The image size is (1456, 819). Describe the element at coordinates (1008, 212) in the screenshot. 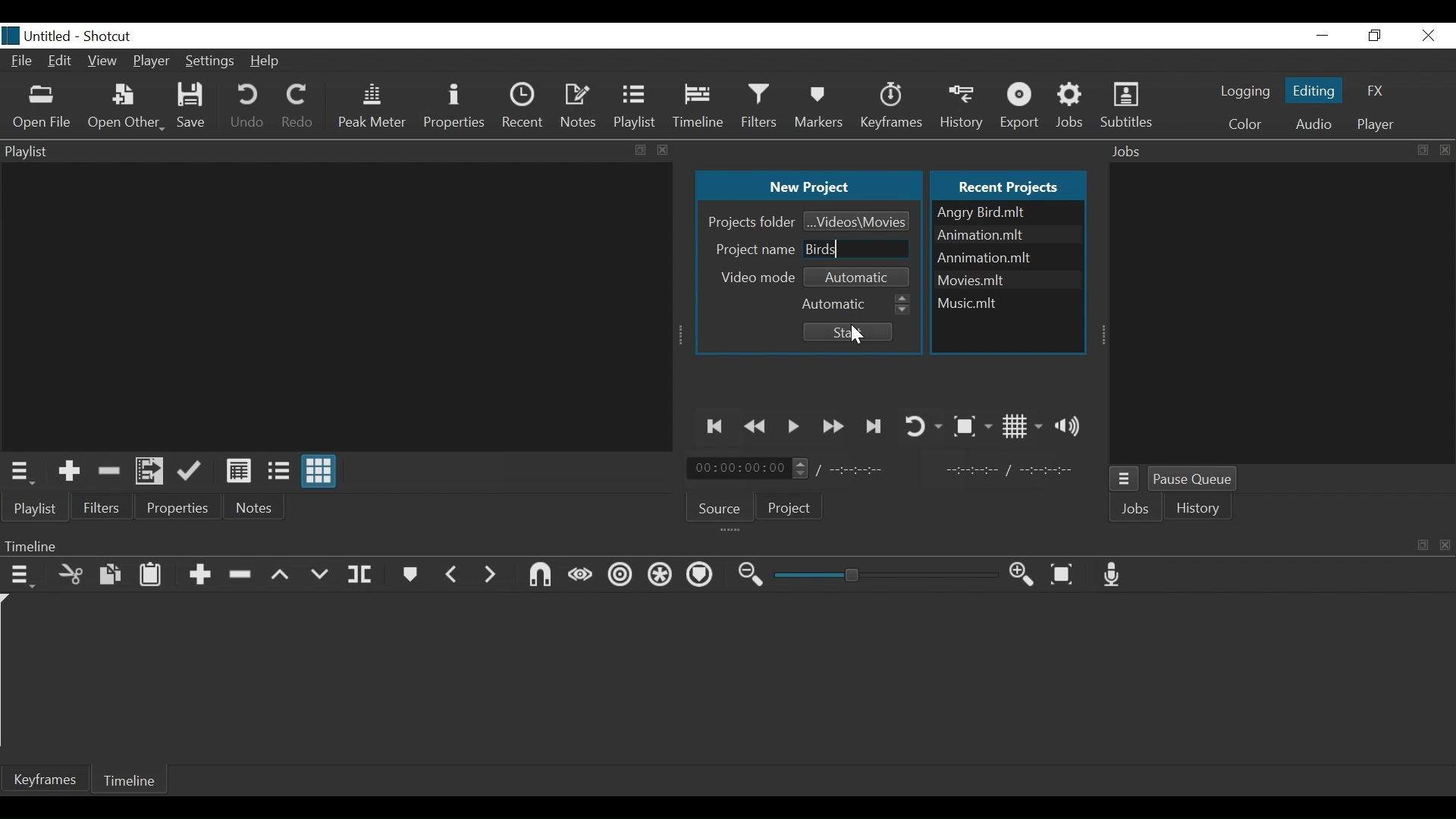

I see `File name` at that location.